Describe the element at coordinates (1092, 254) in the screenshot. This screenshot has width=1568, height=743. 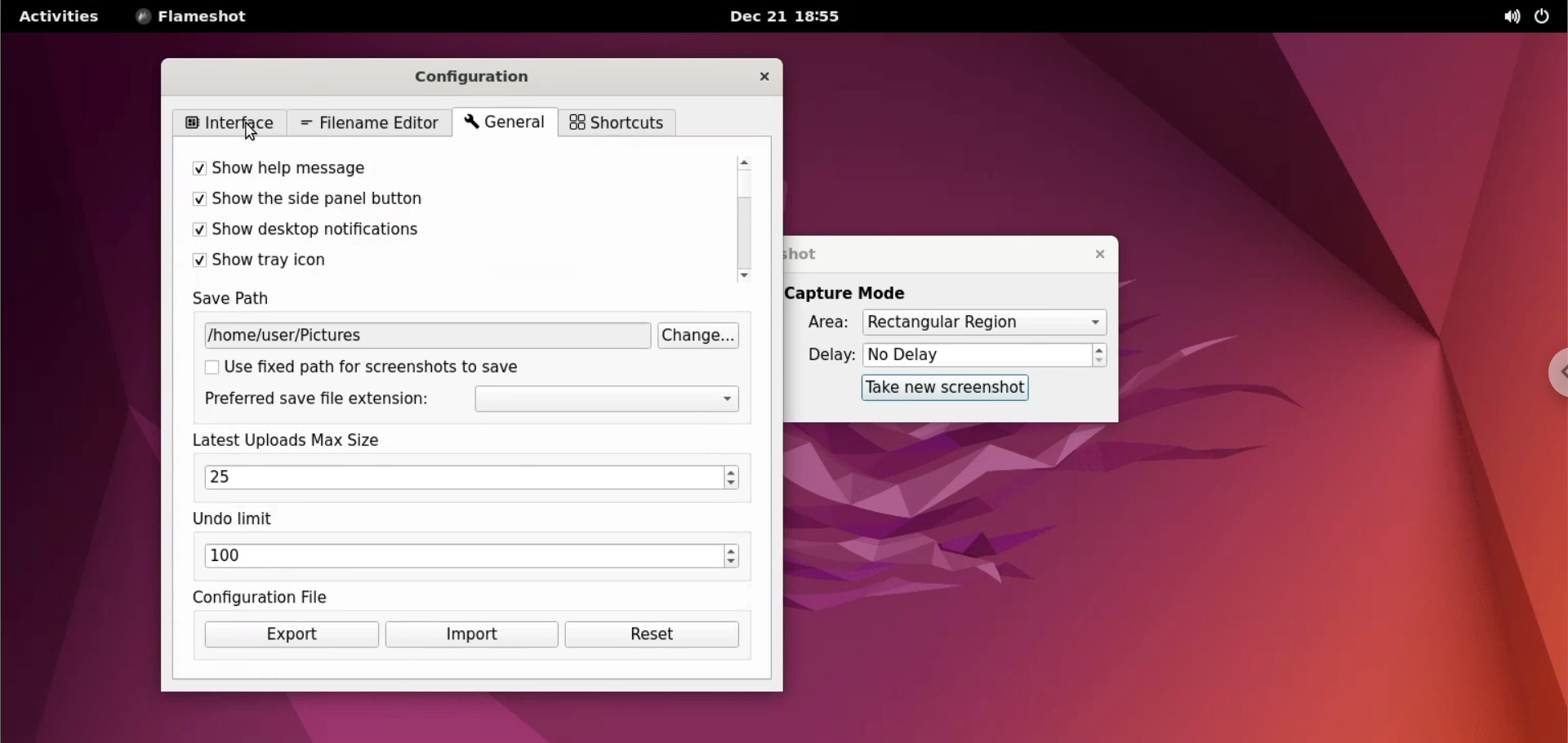
I see `close` at that location.